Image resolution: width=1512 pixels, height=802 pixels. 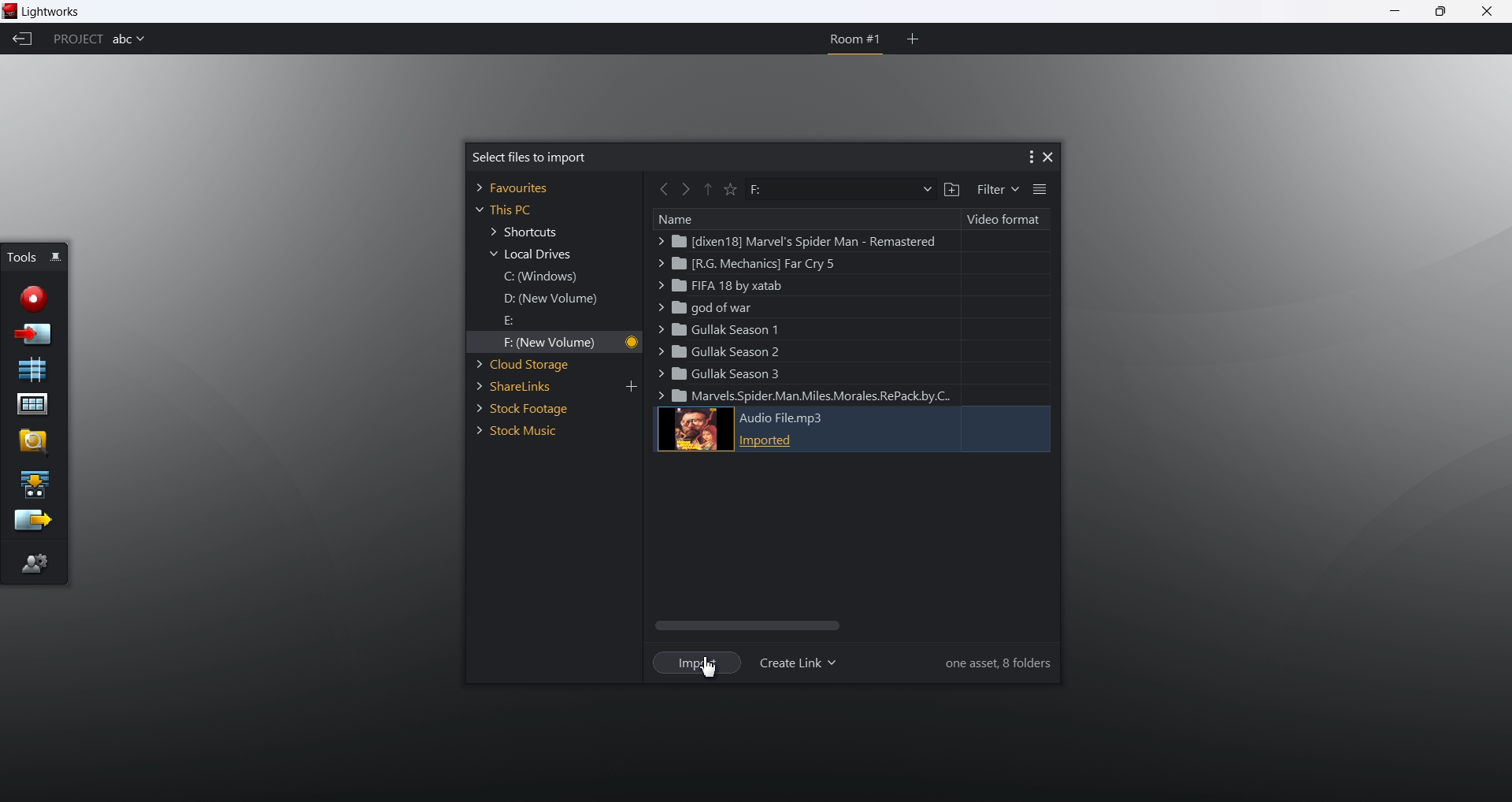 What do you see at coordinates (851, 39) in the screenshot?
I see `room 1` at bounding box center [851, 39].